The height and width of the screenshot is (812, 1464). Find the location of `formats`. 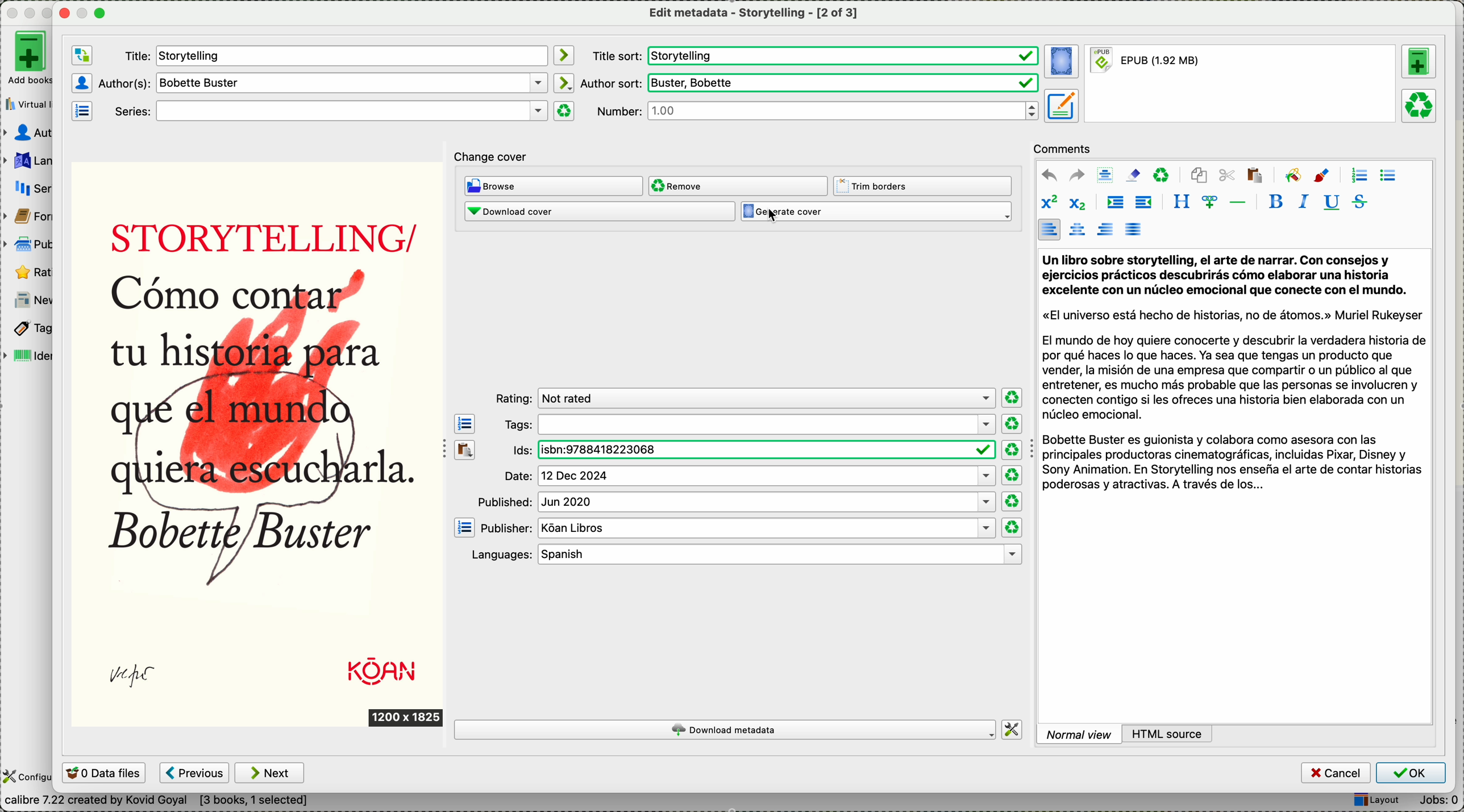

formats is located at coordinates (34, 214).